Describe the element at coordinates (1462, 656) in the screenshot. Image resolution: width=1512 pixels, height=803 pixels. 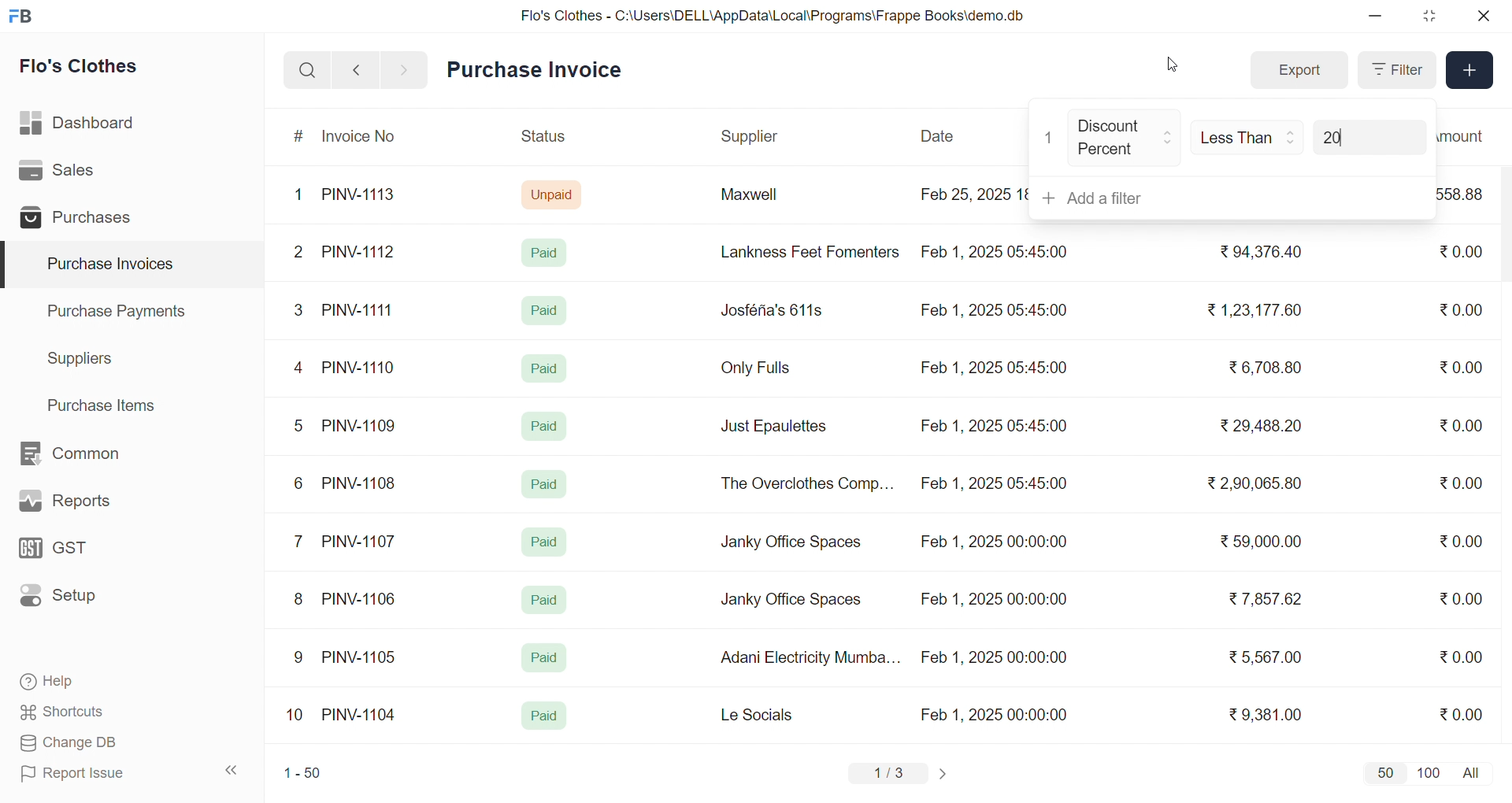
I see `₹0.00` at that location.